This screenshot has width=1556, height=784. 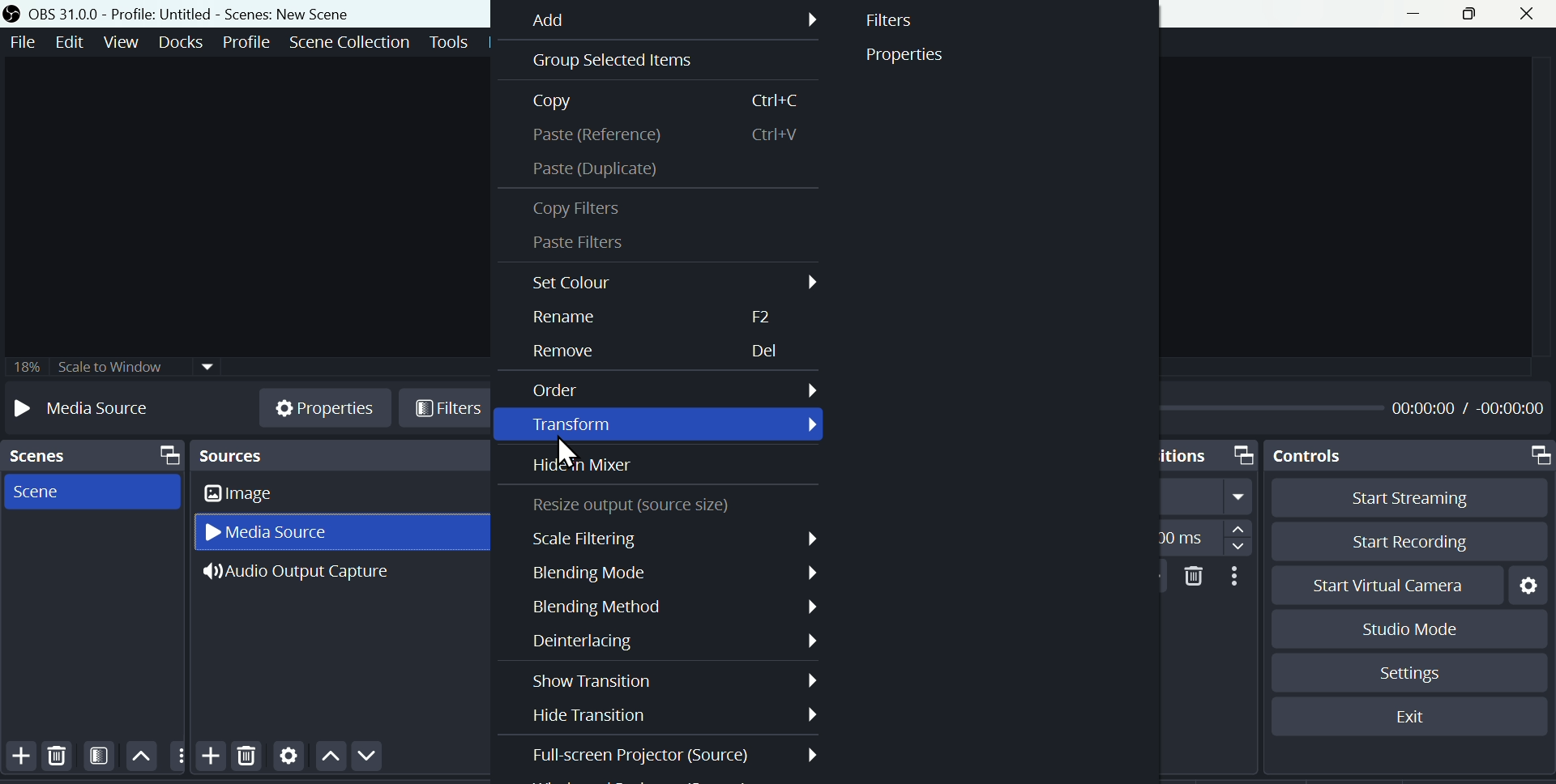 I want to click on Add, so click(x=207, y=754).